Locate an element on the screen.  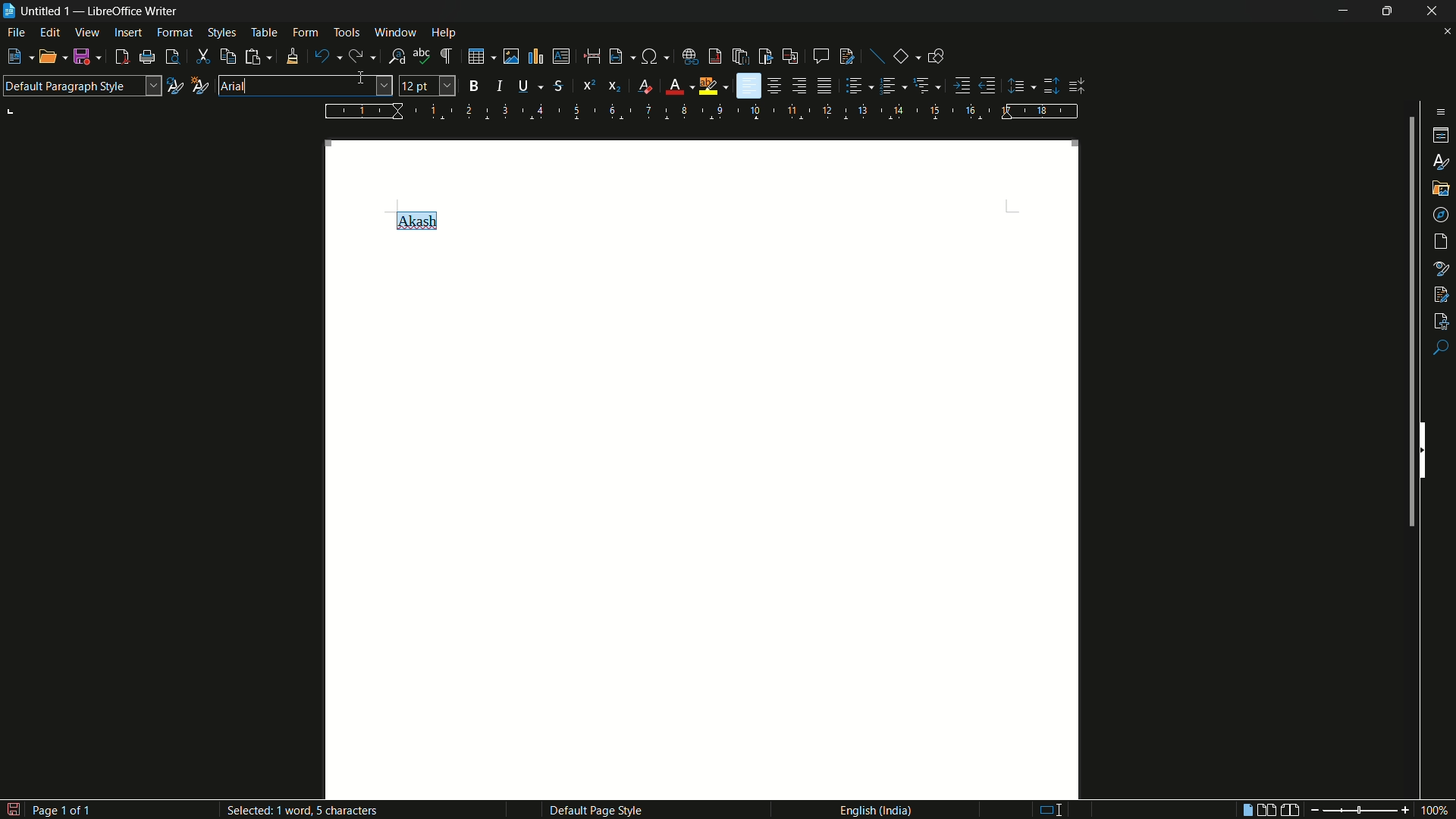
Page 1 of 1 is located at coordinates (49, 807).